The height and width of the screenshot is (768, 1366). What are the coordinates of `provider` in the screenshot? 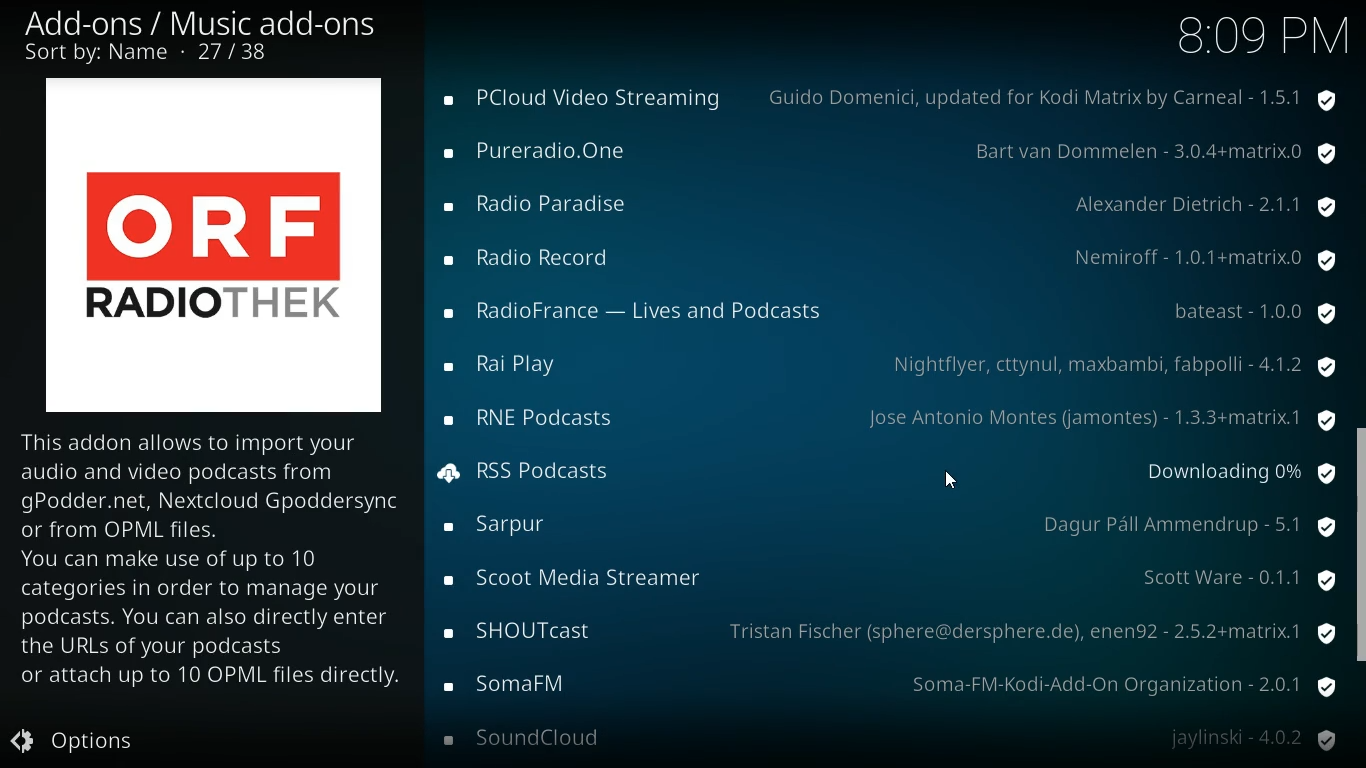 It's located at (1035, 629).